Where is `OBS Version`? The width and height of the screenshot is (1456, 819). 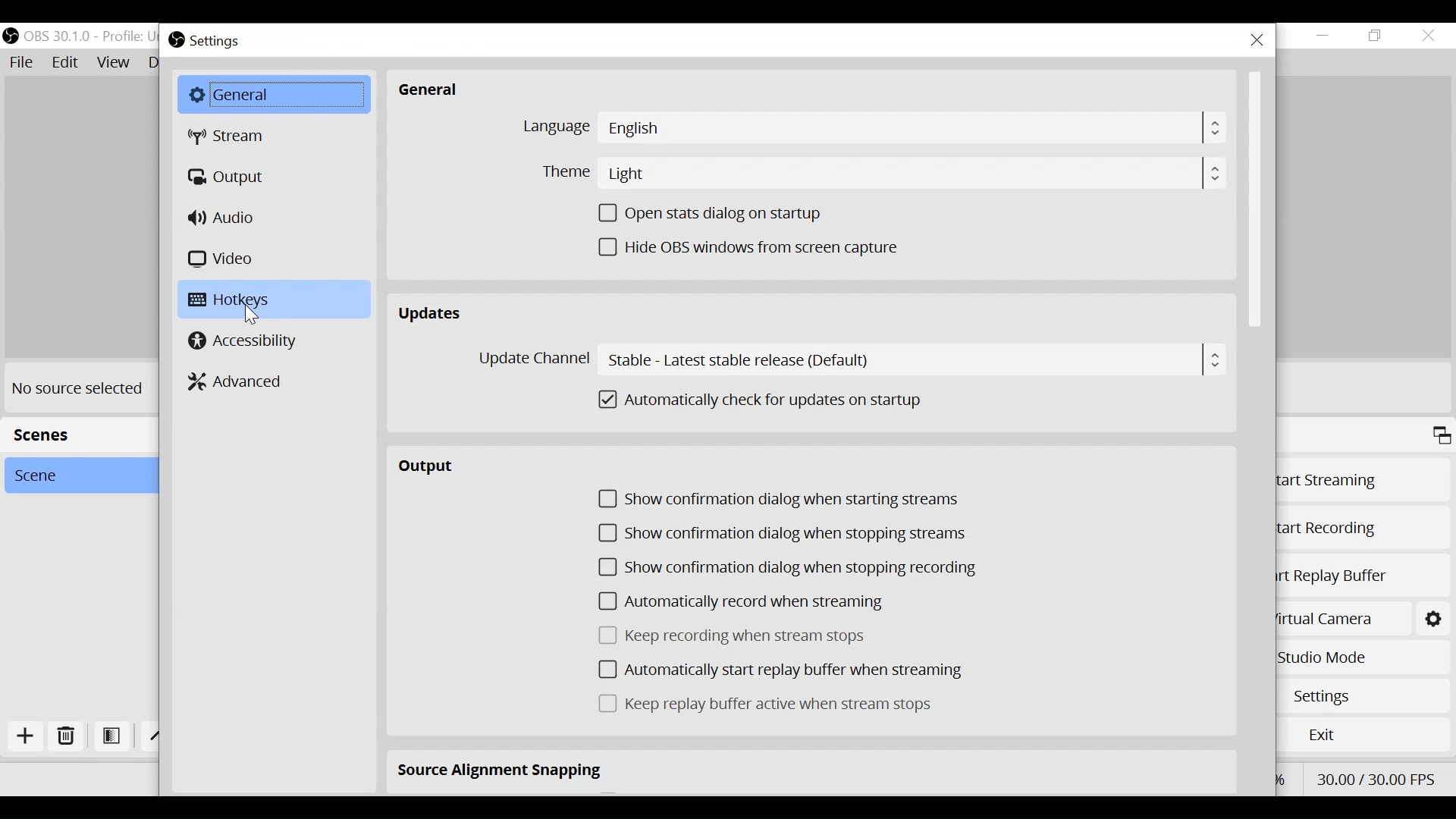
OBS Version is located at coordinates (89, 36).